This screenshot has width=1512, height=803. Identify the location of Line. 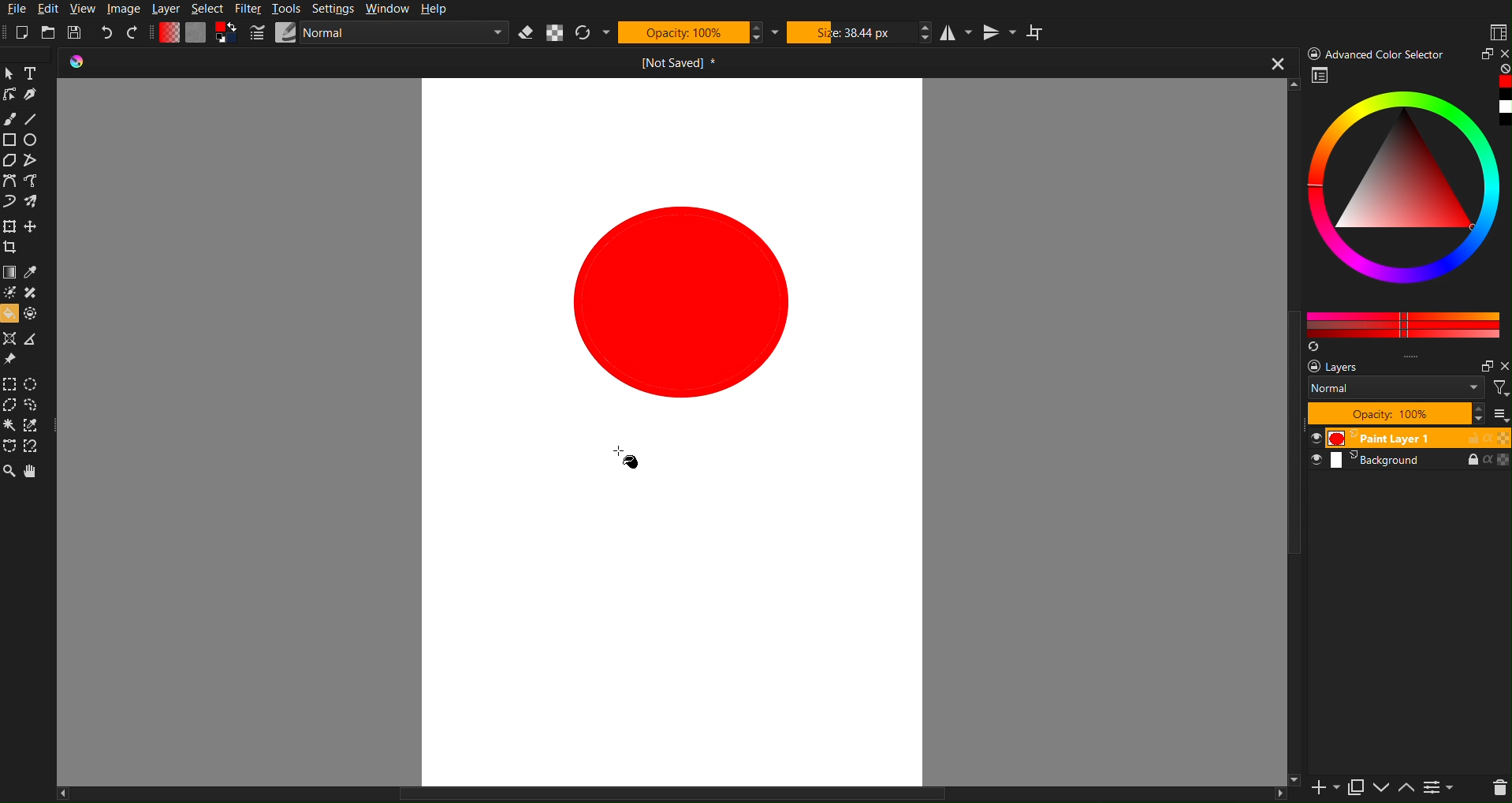
(34, 119).